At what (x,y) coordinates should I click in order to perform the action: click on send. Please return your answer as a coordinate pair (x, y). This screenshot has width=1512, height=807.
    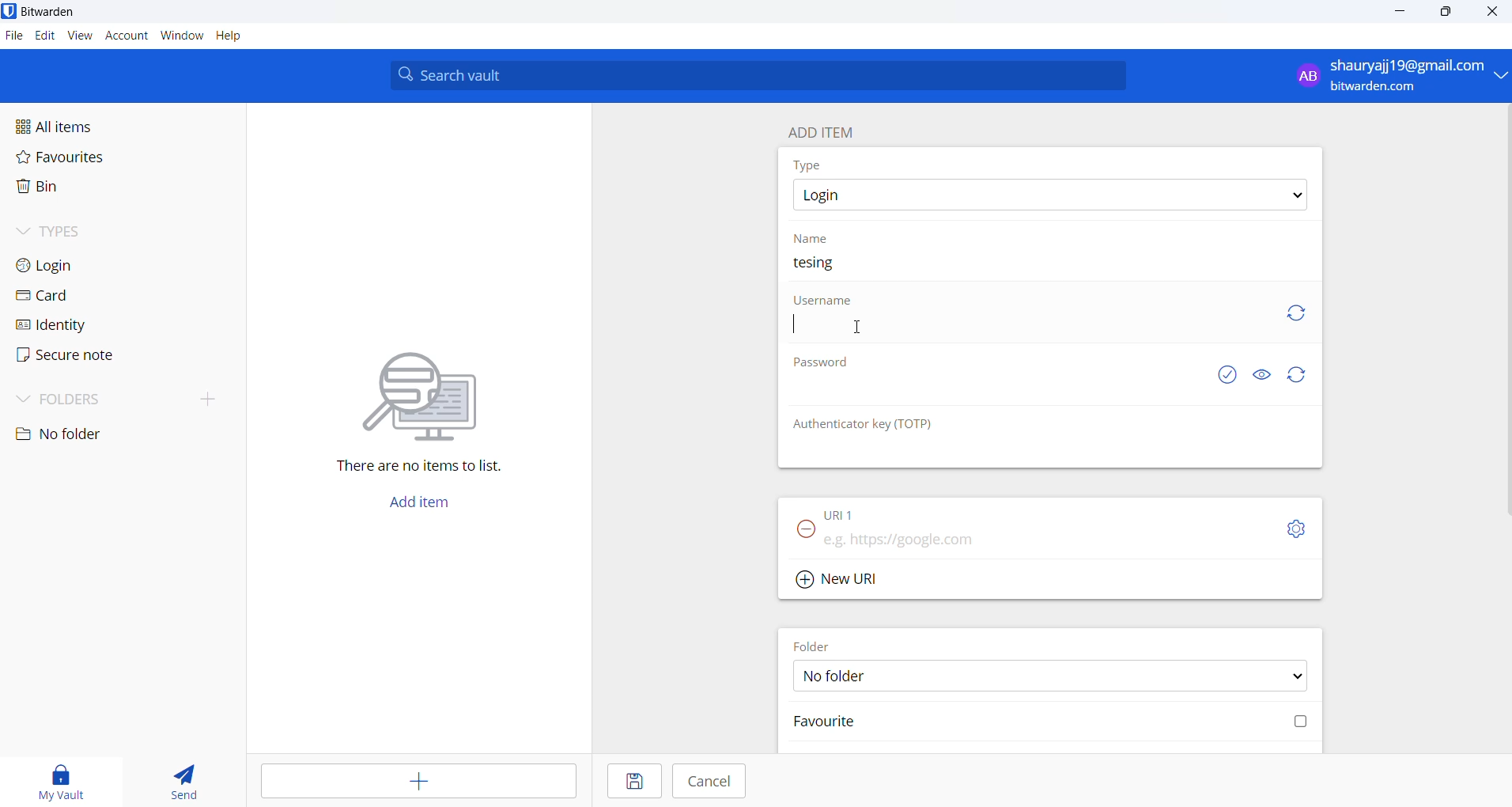
    Looking at the image, I should click on (176, 777).